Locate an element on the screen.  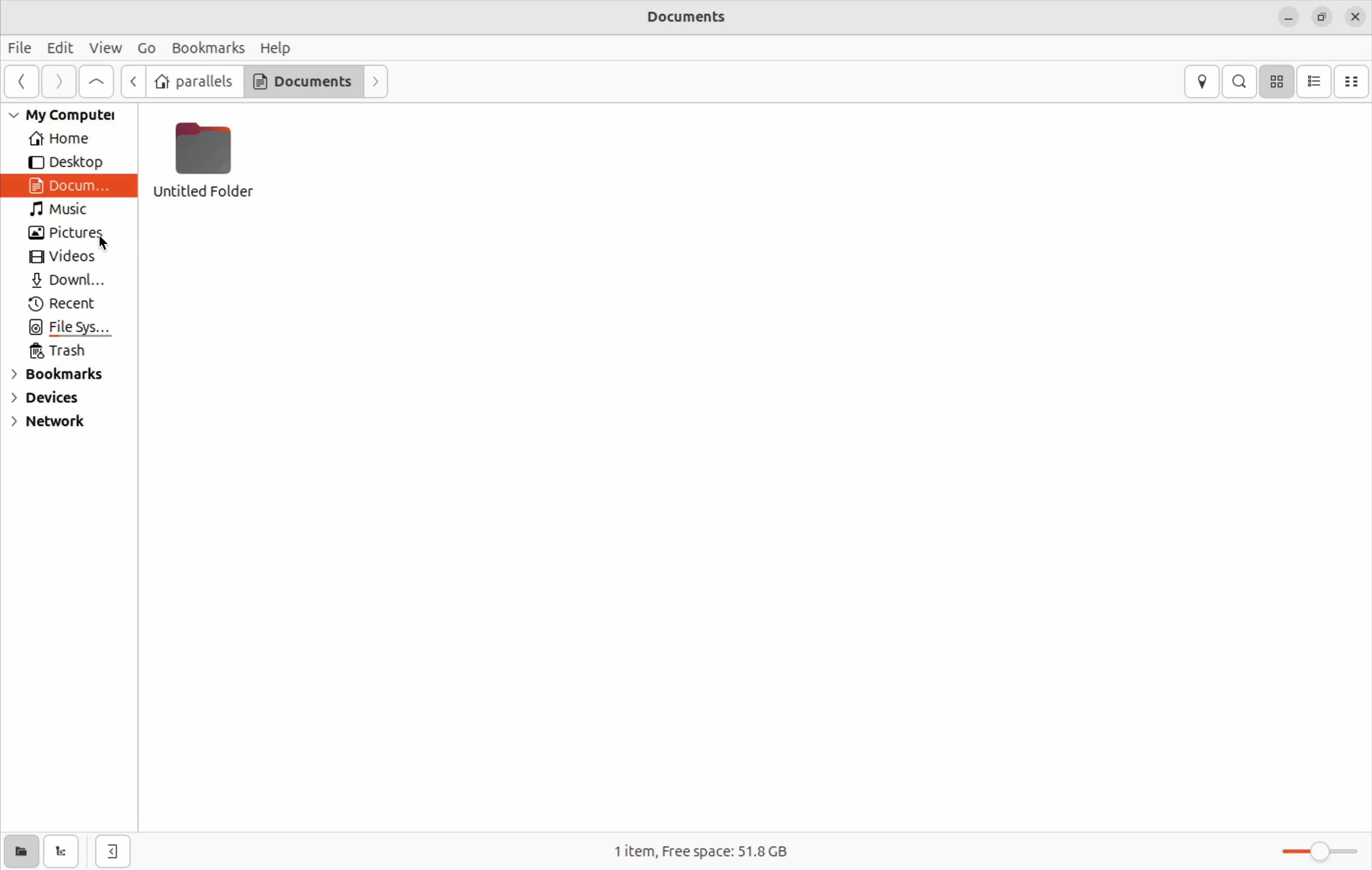
Bookmarks is located at coordinates (210, 47).